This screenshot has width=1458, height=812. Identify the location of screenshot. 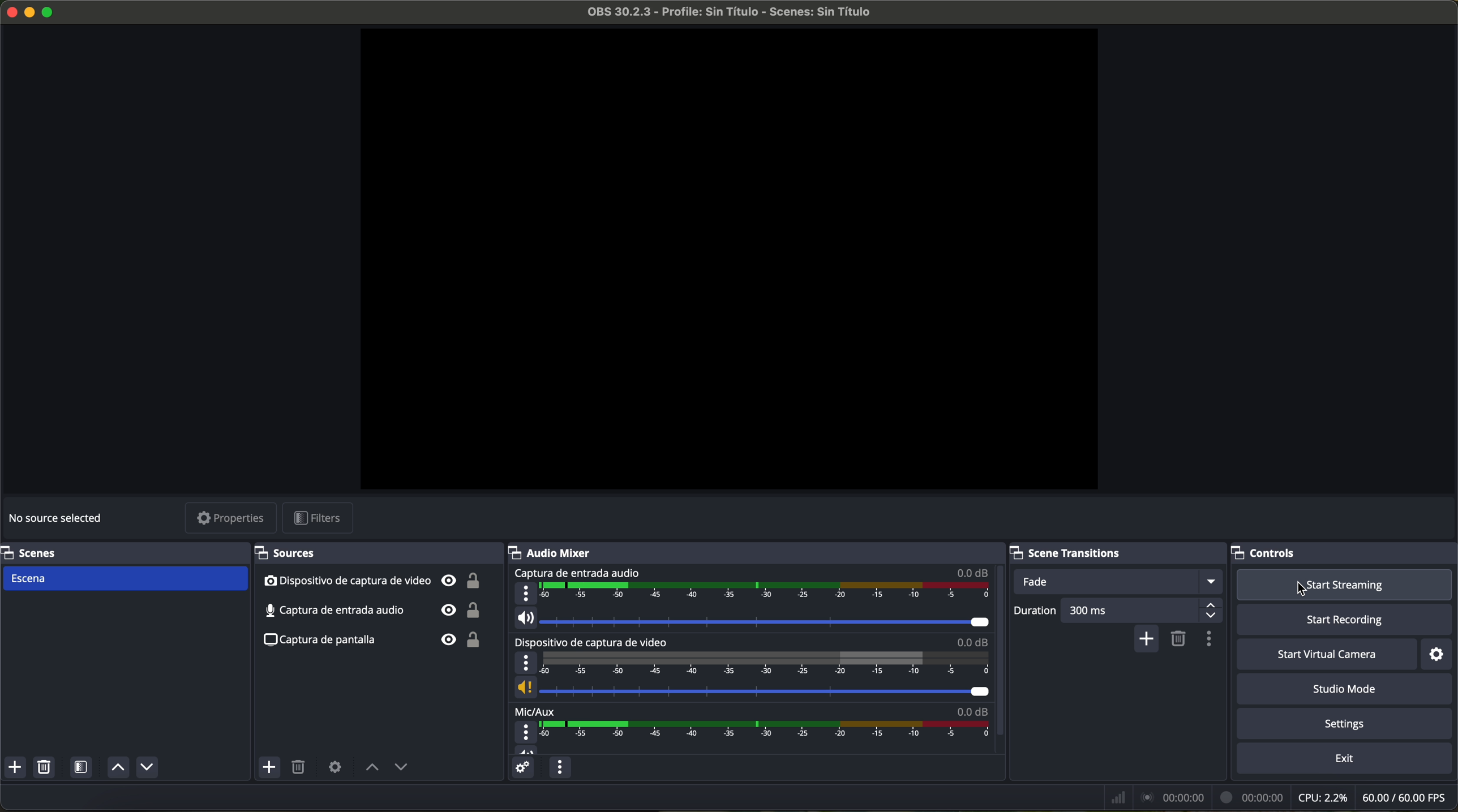
(379, 639).